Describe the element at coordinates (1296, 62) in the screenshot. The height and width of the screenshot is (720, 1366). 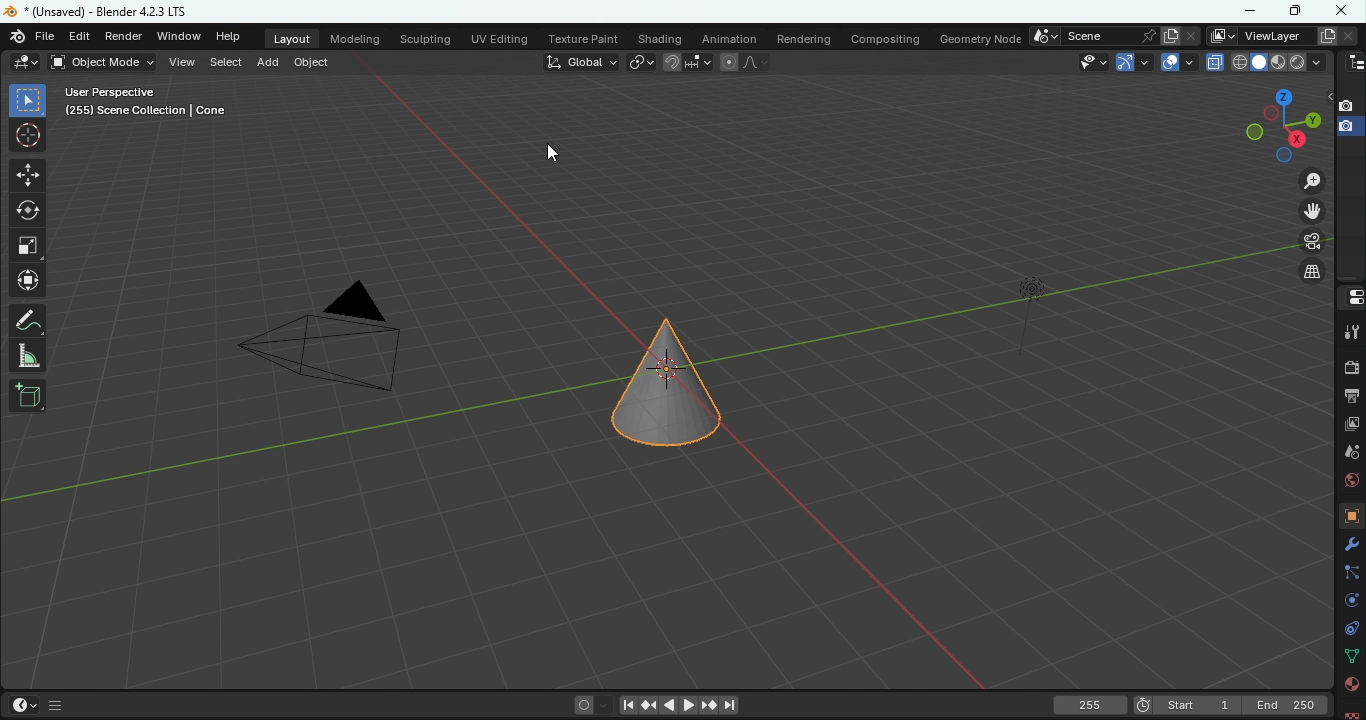
I see `Viewport shading: rendered` at that location.